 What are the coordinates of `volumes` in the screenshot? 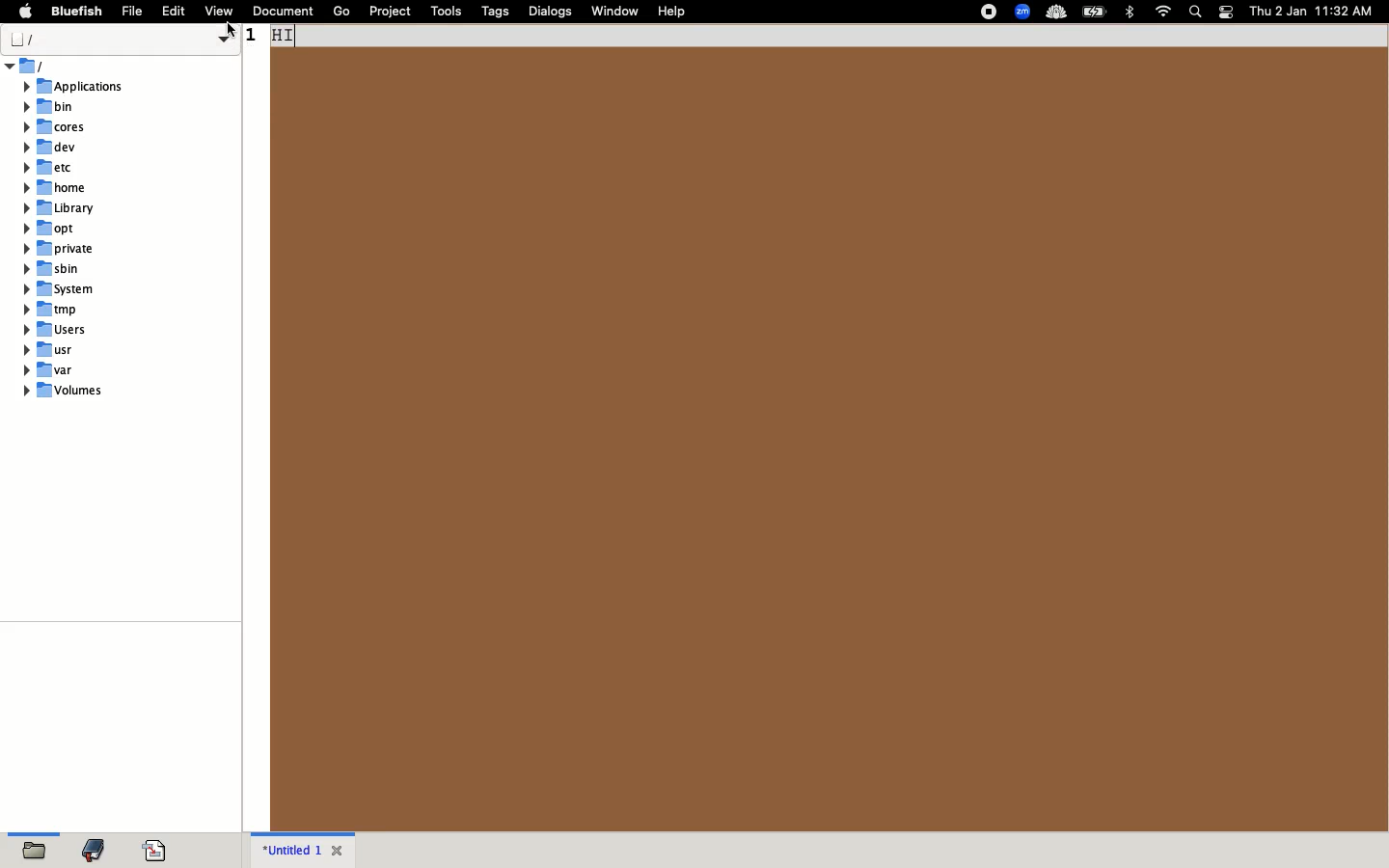 It's located at (67, 392).